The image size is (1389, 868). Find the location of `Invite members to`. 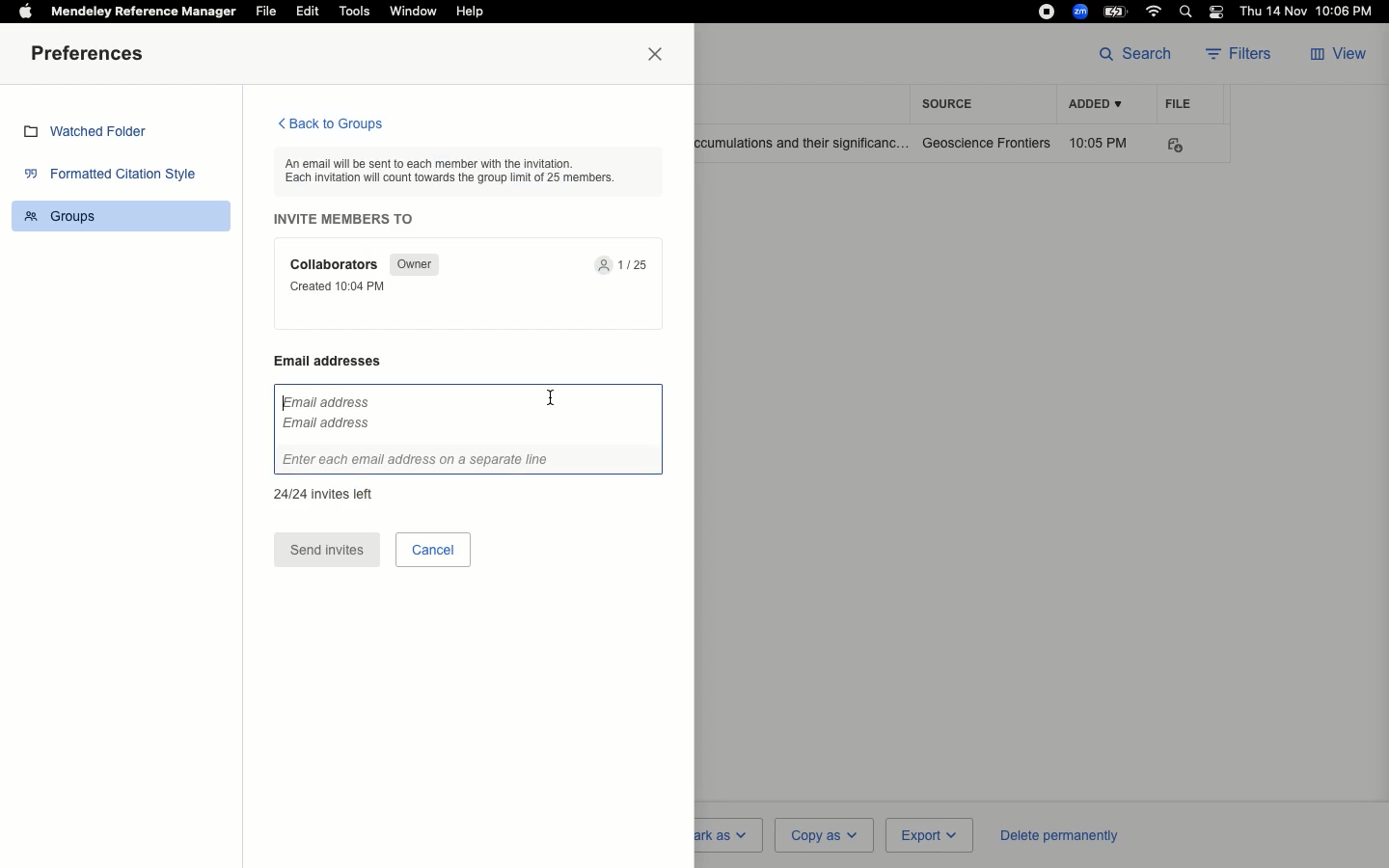

Invite members to is located at coordinates (349, 219).